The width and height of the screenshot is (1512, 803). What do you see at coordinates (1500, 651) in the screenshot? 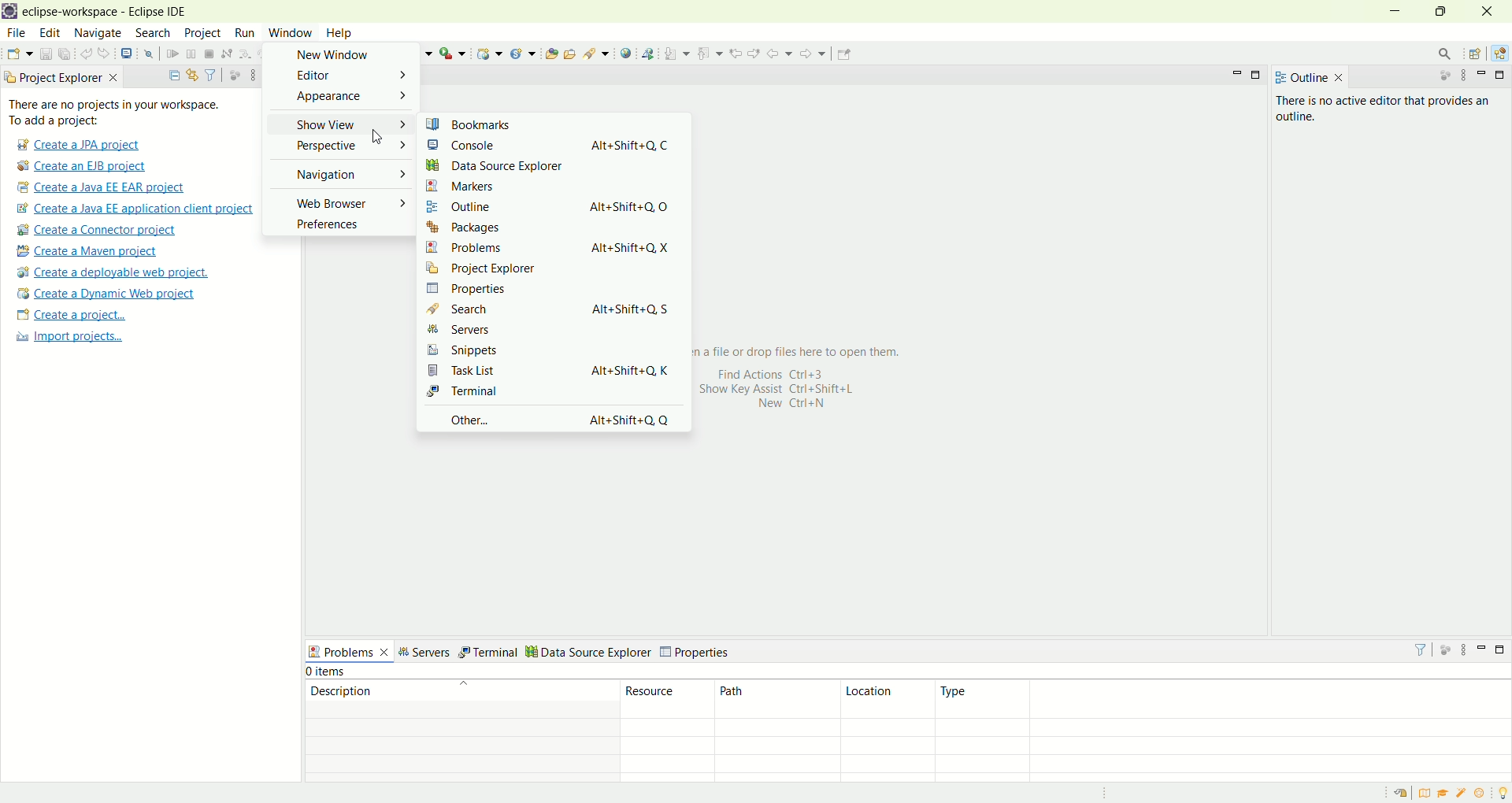
I see `maximize` at bounding box center [1500, 651].